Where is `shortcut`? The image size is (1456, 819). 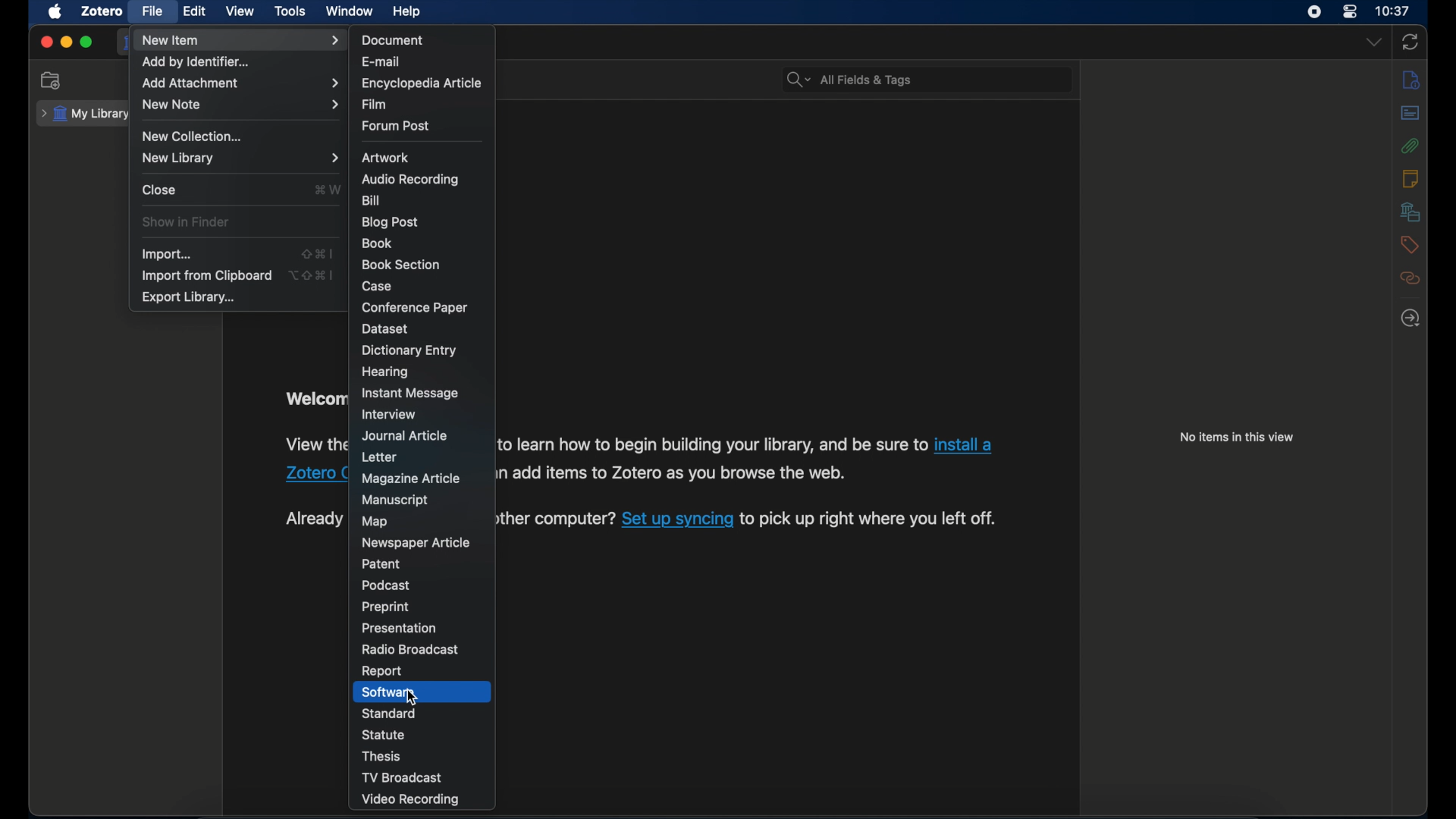 shortcut is located at coordinates (318, 253).